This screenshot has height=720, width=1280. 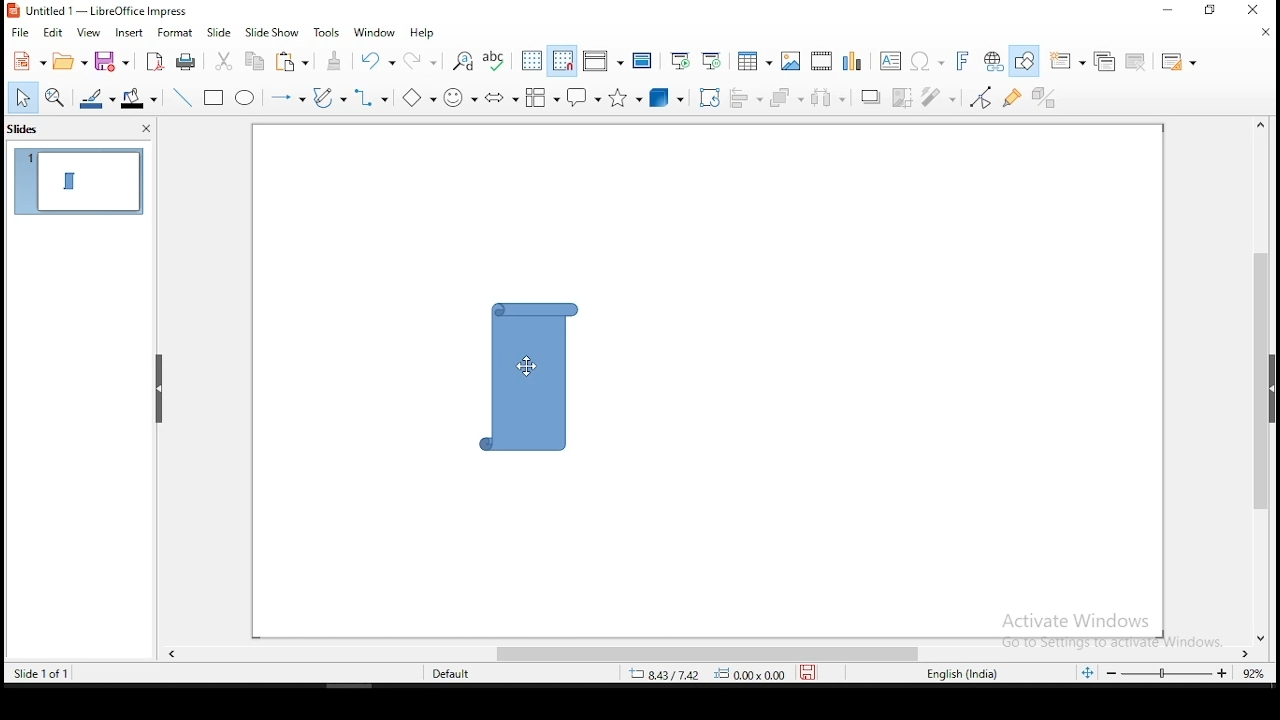 I want to click on toggle point edit mode, so click(x=985, y=96).